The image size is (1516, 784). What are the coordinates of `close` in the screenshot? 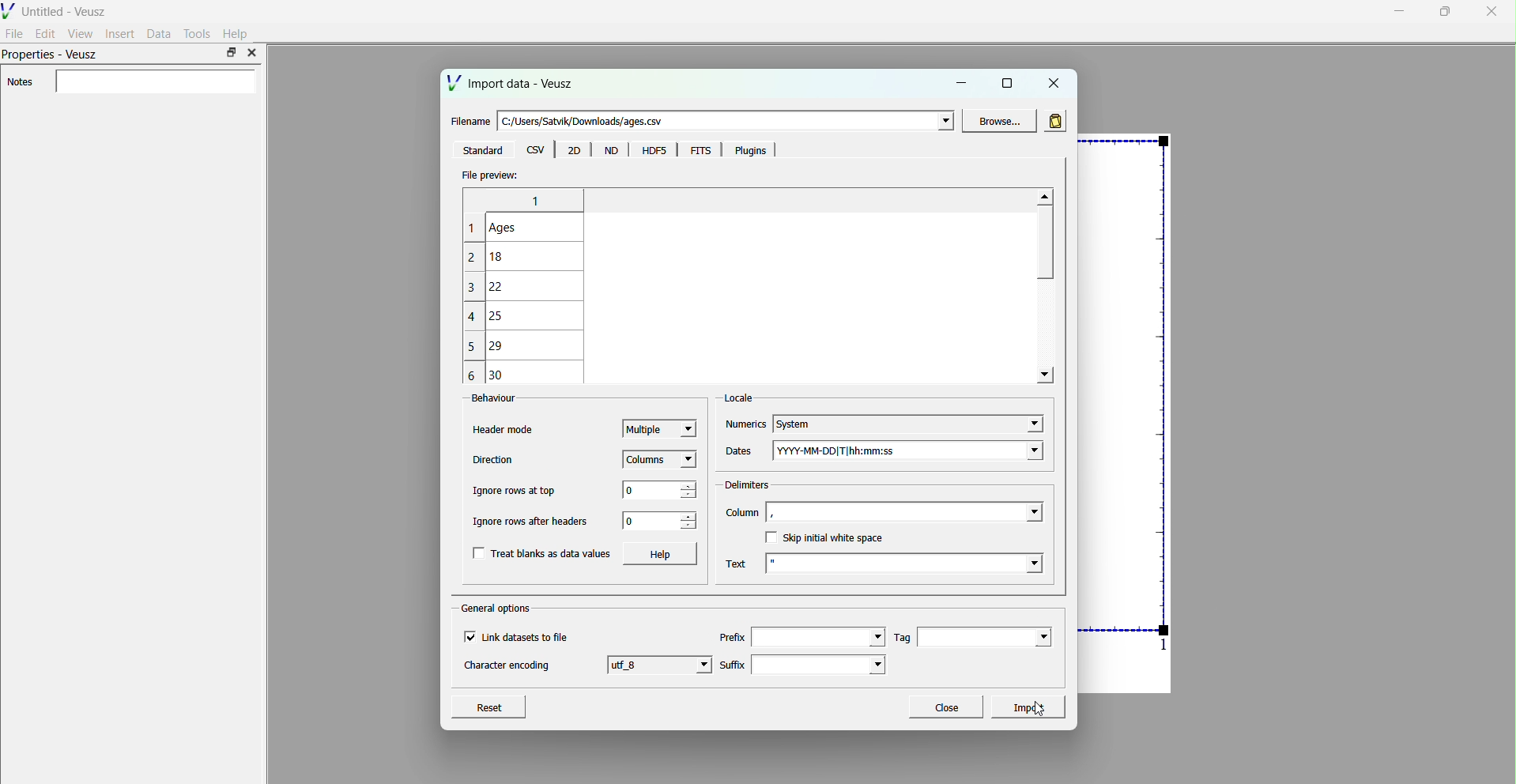 It's located at (1491, 13).